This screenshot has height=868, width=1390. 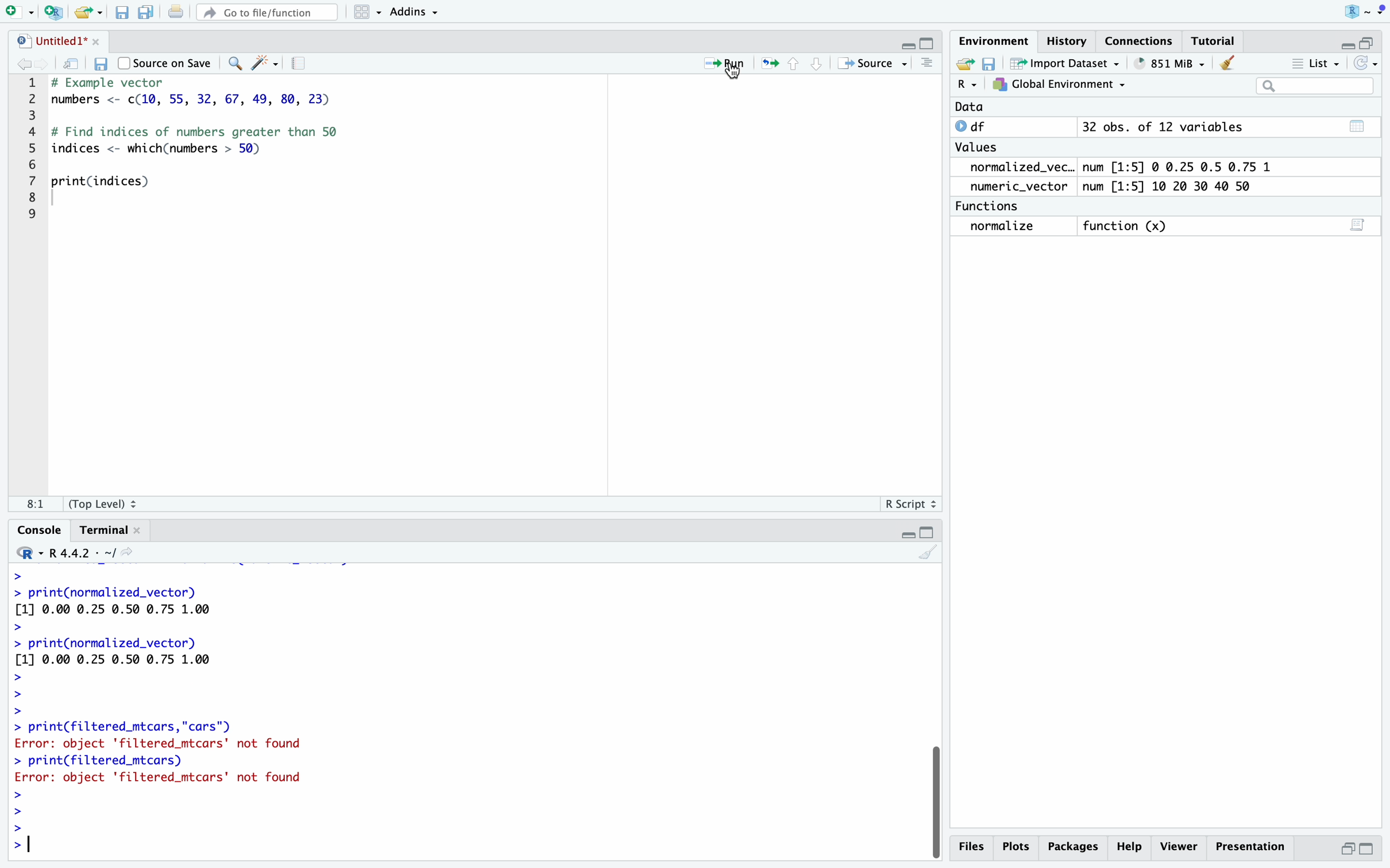 I want to click on WRITOR, so click(x=264, y=64).